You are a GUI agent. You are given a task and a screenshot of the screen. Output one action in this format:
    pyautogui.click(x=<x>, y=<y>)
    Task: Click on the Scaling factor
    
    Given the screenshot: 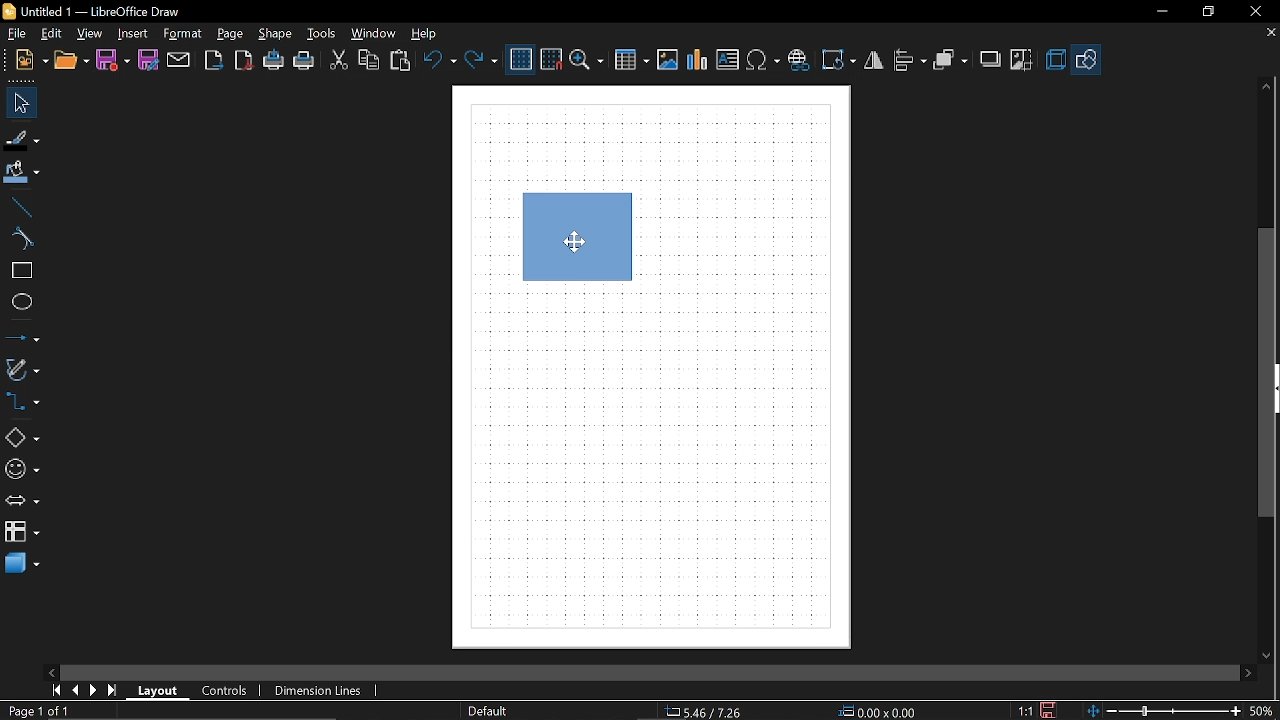 What is the action you would take?
    pyautogui.click(x=1023, y=711)
    